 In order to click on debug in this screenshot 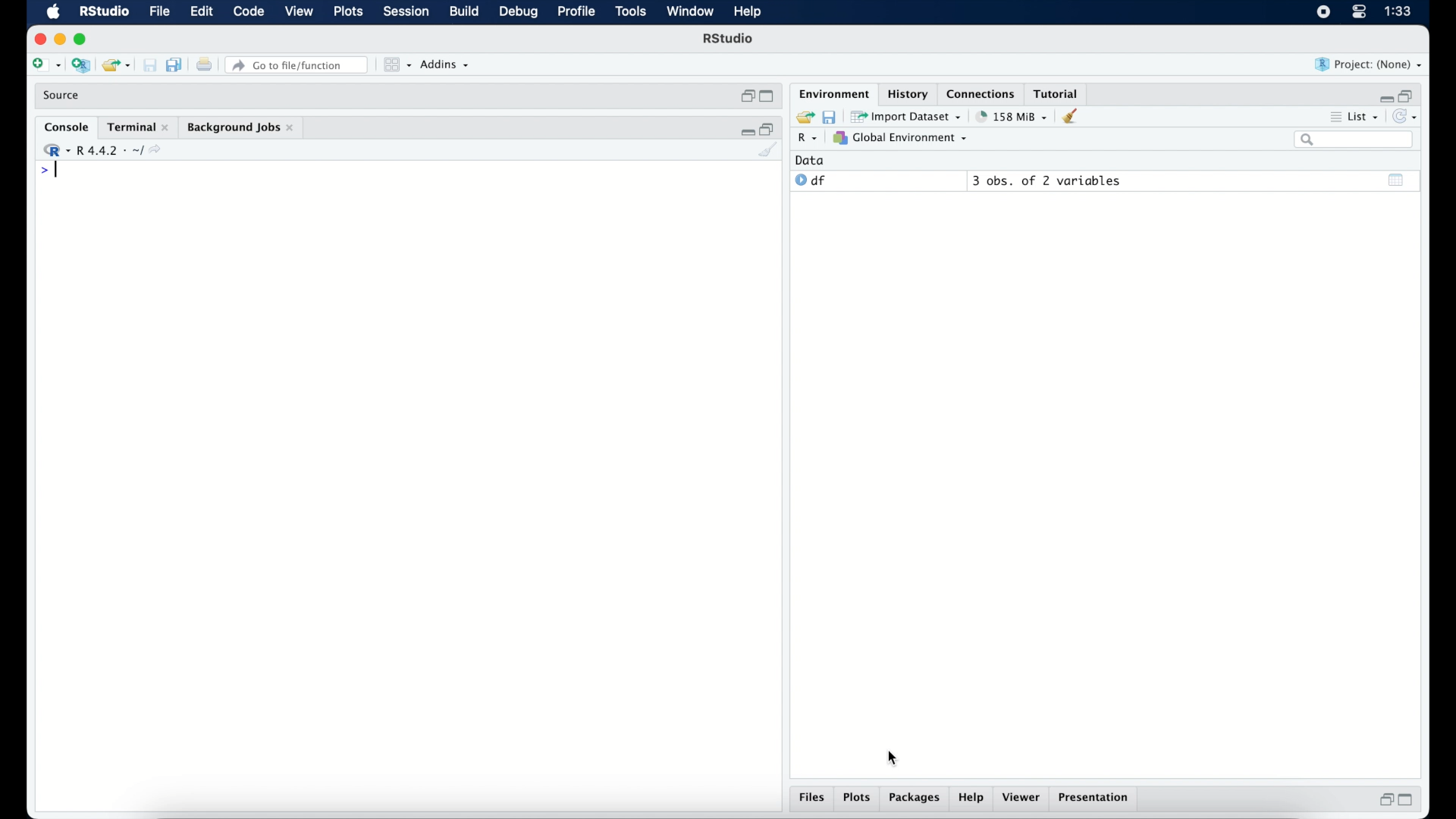, I will do `click(519, 13)`.